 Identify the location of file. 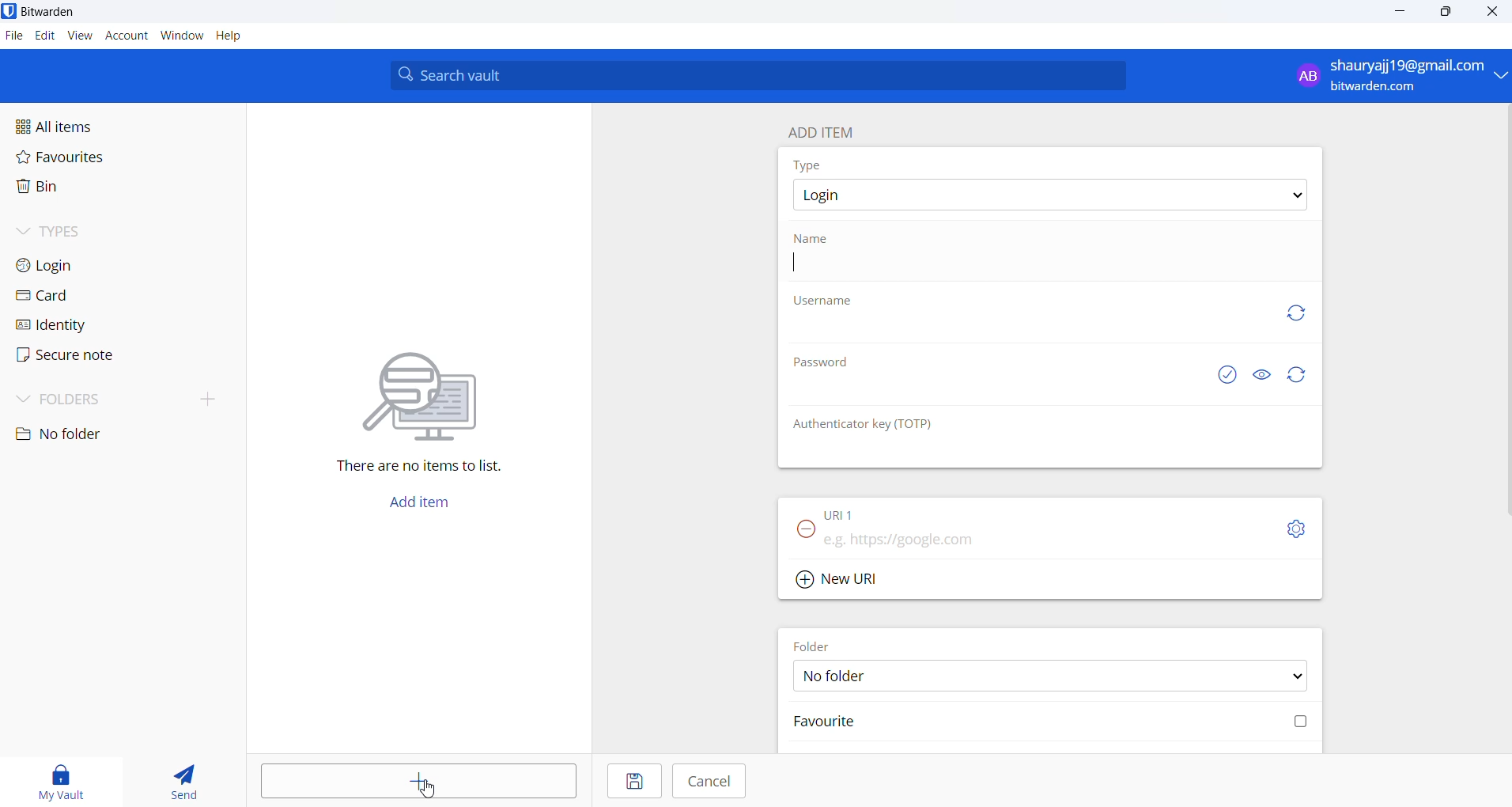
(13, 36).